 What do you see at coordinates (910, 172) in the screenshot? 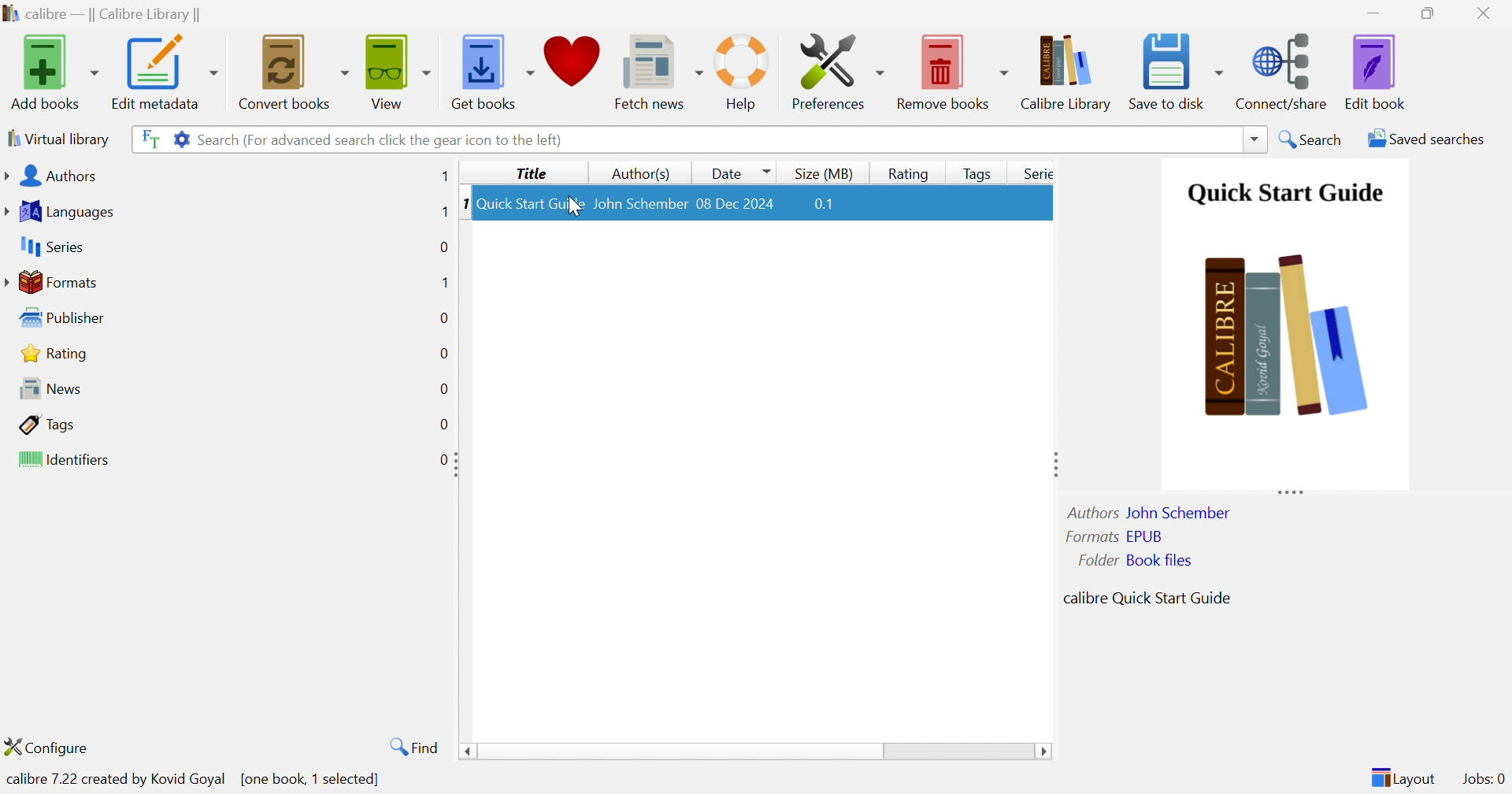
I see `` at bounding box center [910, 172].